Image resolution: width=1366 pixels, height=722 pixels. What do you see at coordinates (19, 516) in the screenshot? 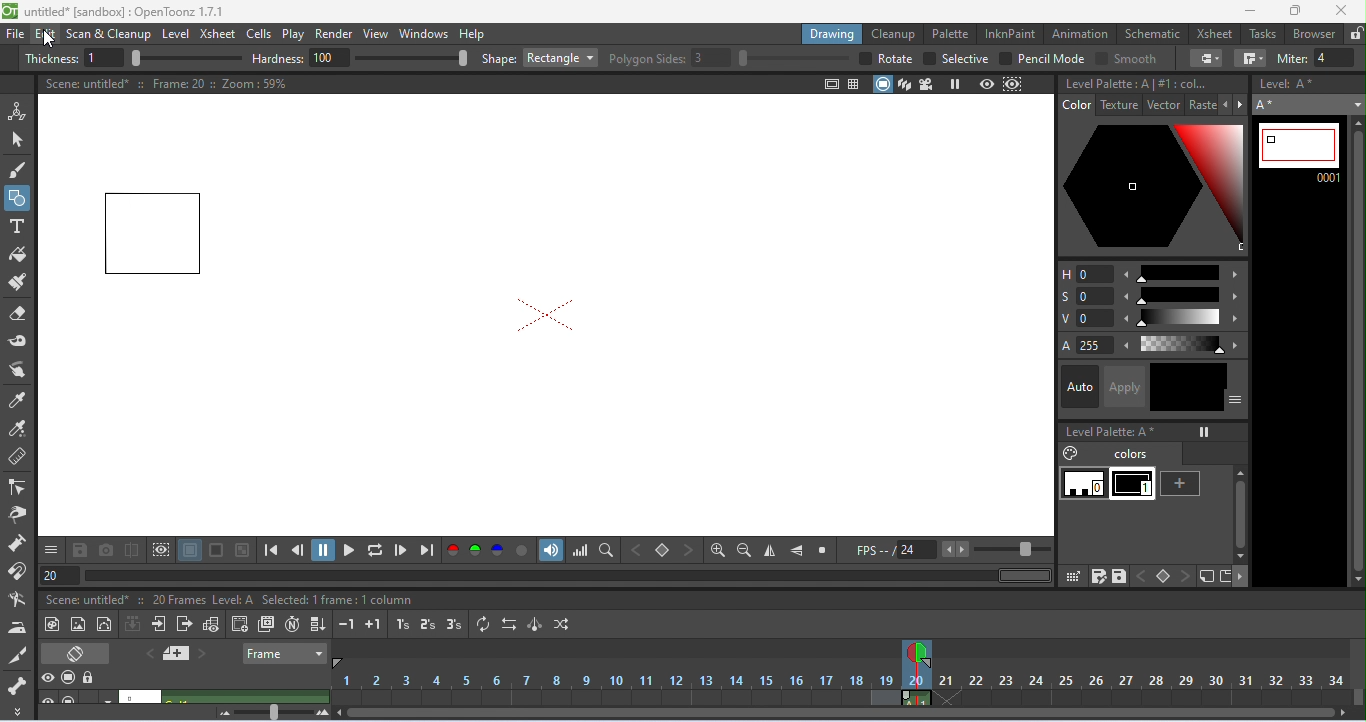
I see `pinch` at bounding box center [19, 516].